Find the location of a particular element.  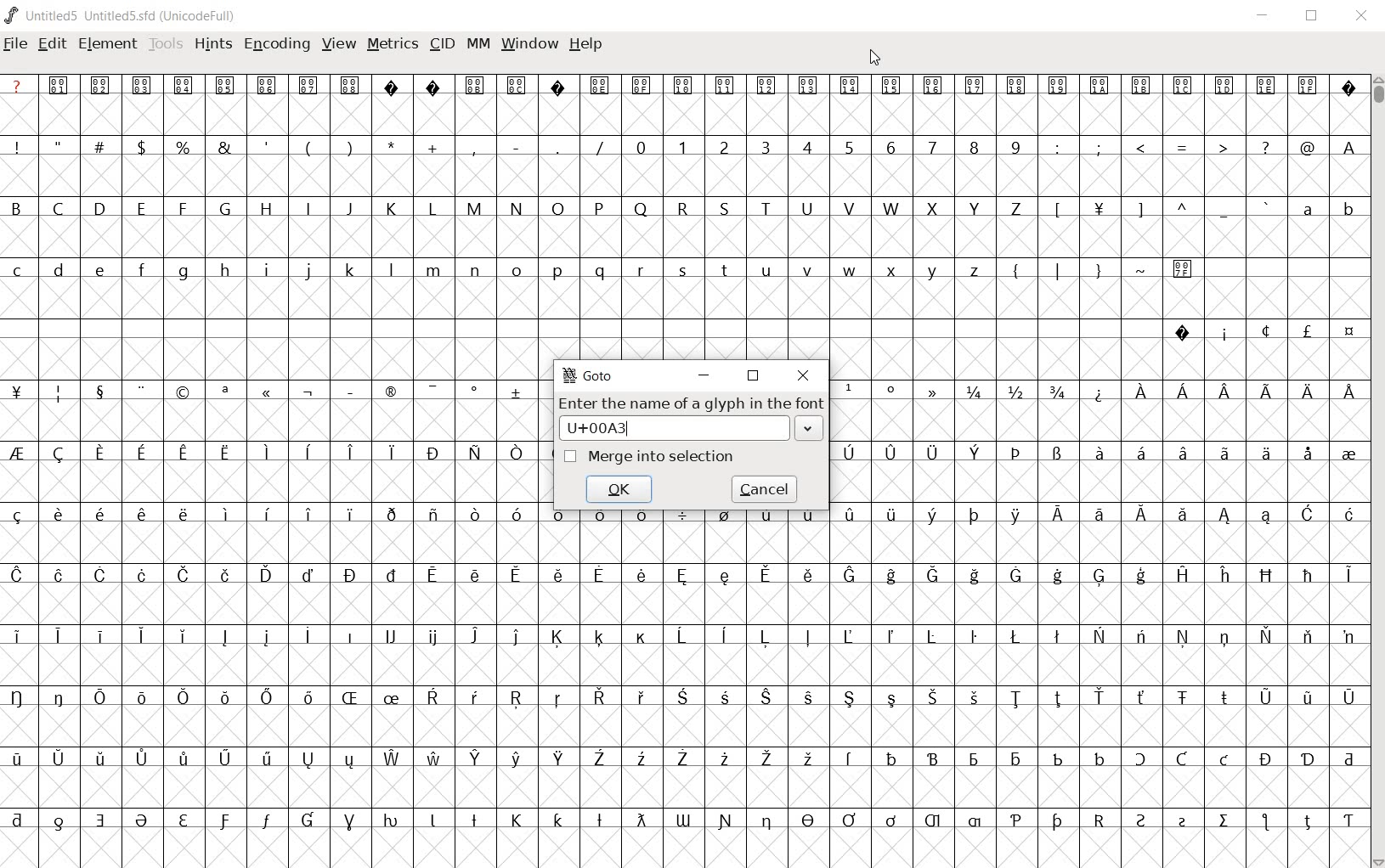

Symbol is located at coordinates (1102, 87).